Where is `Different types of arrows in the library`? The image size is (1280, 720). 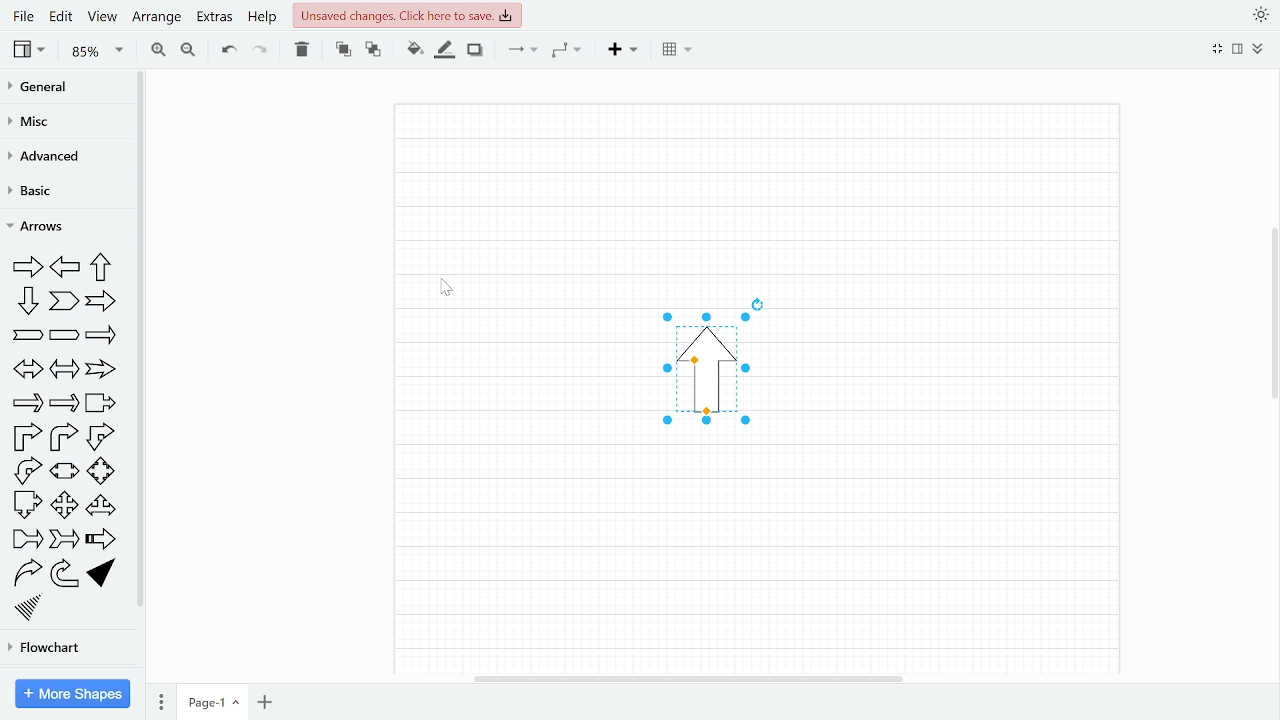 Different types of arrows in the library is located at coordinates (69, 436).